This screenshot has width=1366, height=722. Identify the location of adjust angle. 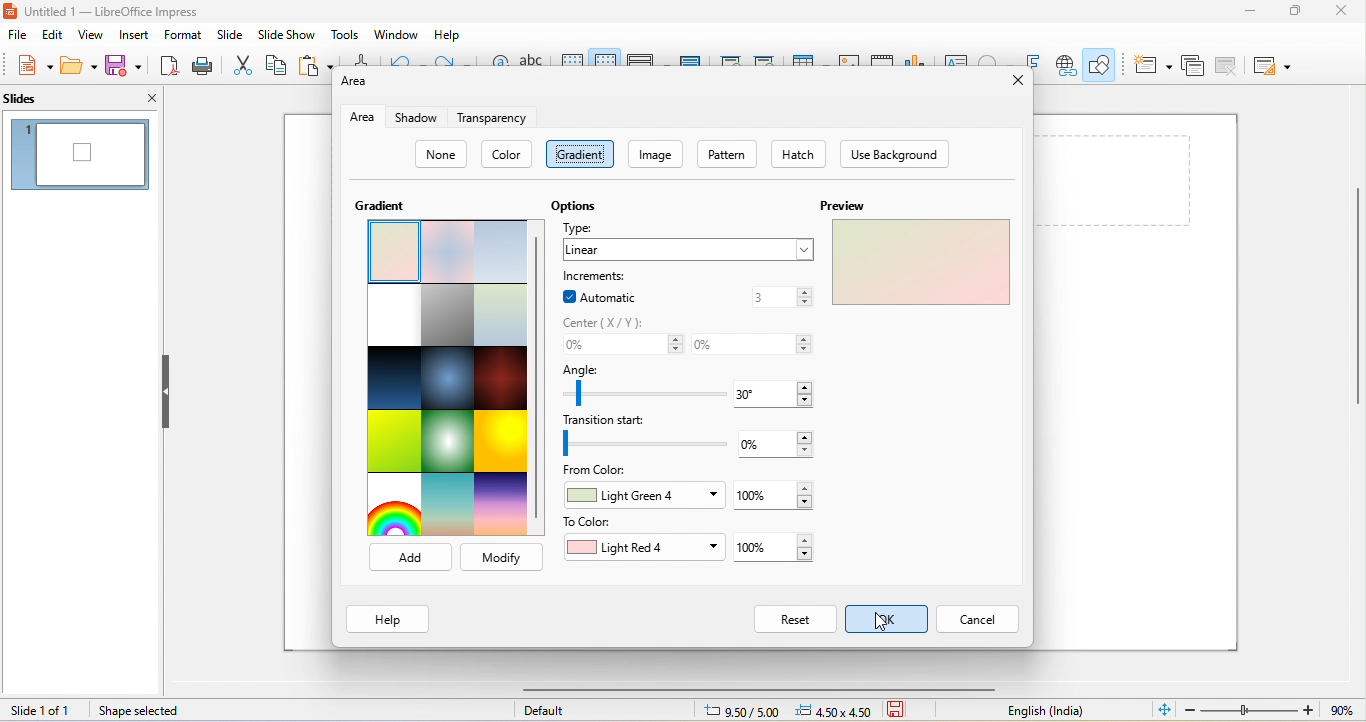
(622, 393).